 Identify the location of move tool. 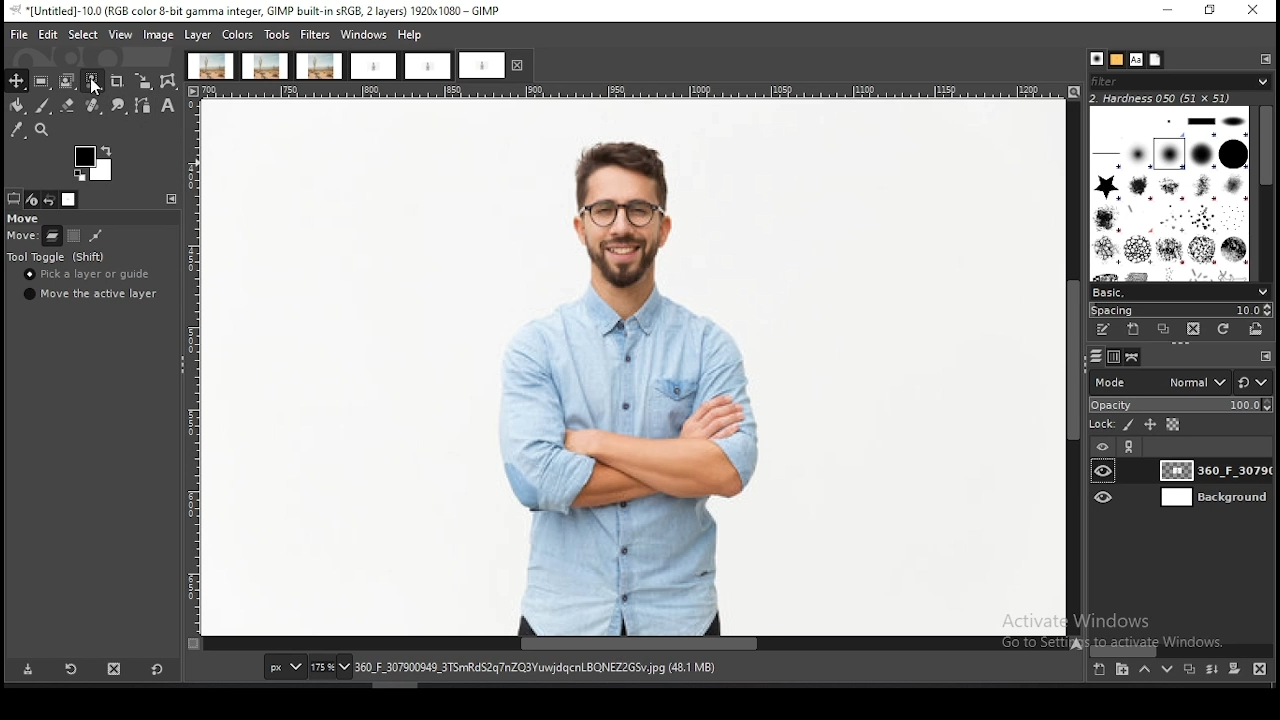
(16, 81).